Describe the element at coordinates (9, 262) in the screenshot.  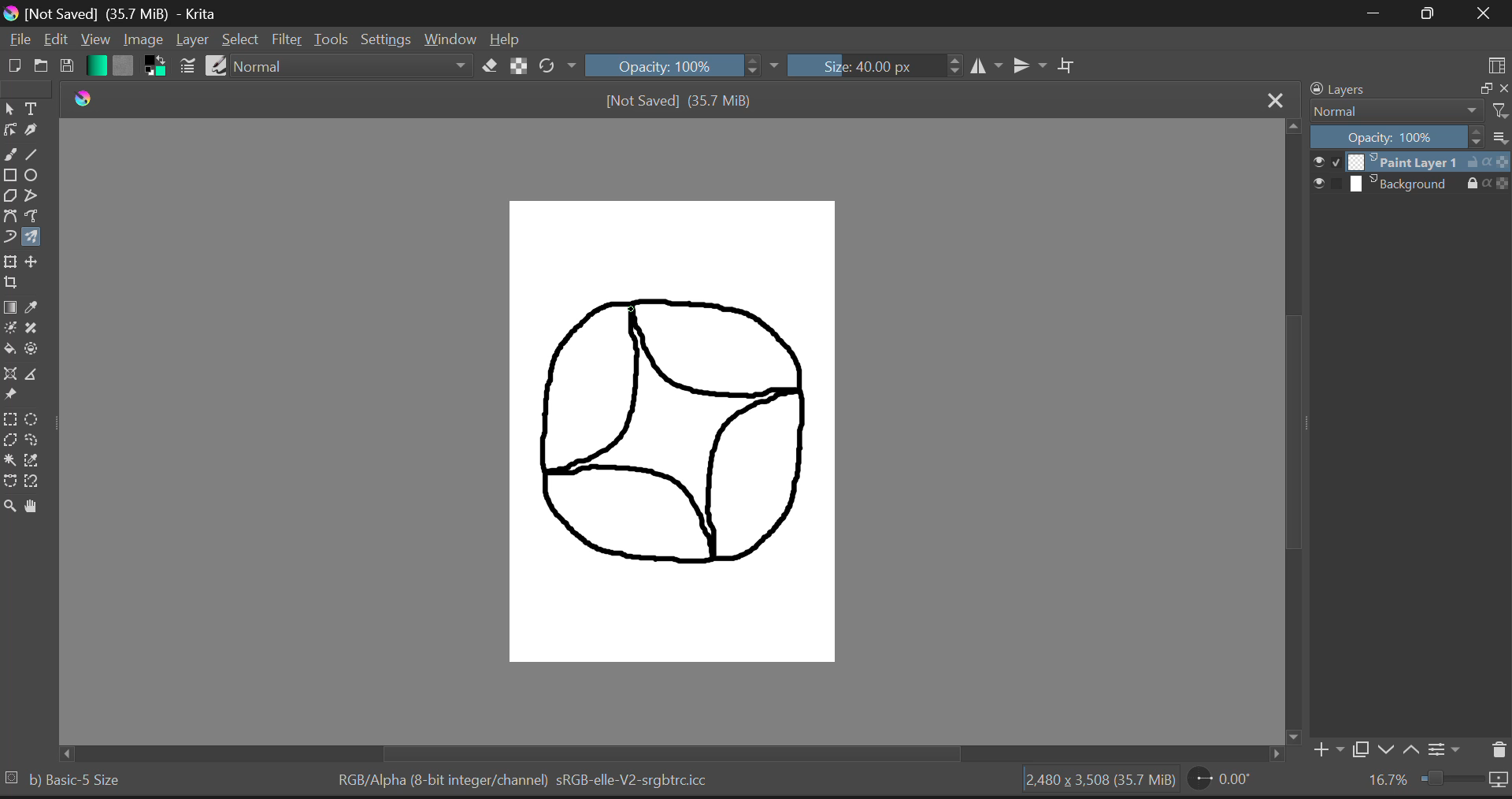
I see `Transform Layer` at that location.